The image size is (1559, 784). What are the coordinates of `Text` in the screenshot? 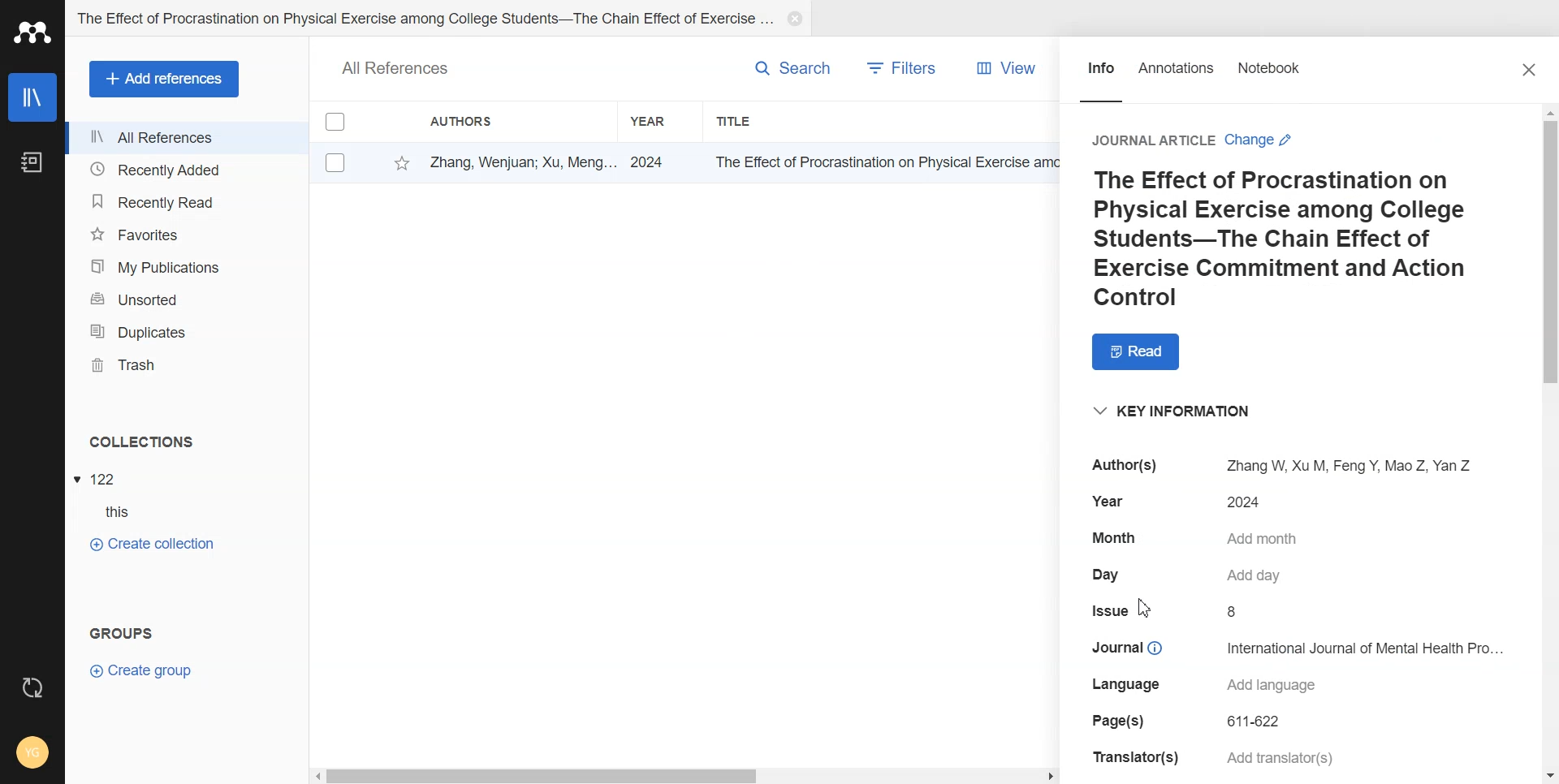 It's located at (118, 630).